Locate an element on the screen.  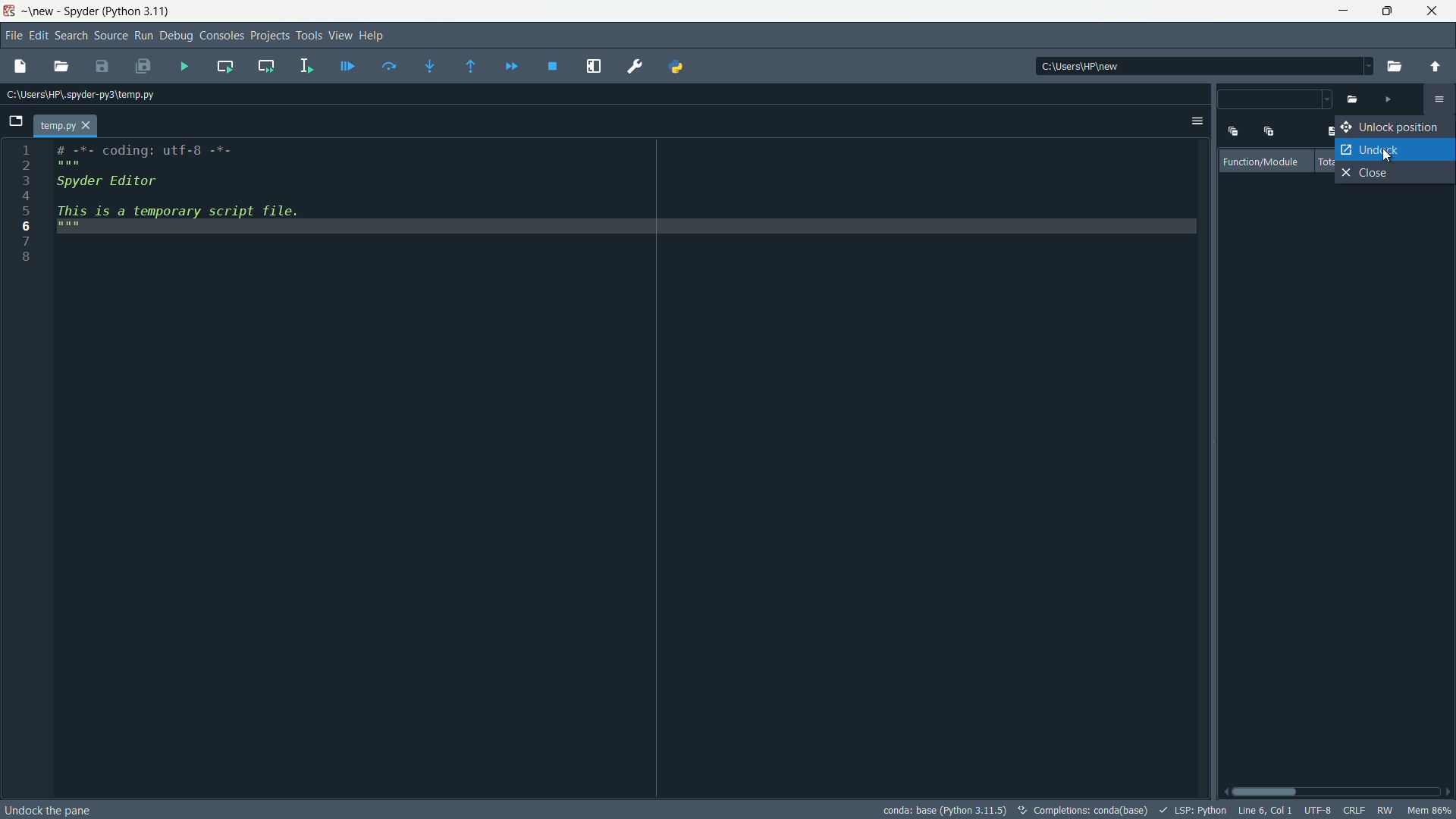
file eol status is located at coordinates (1355, 811).